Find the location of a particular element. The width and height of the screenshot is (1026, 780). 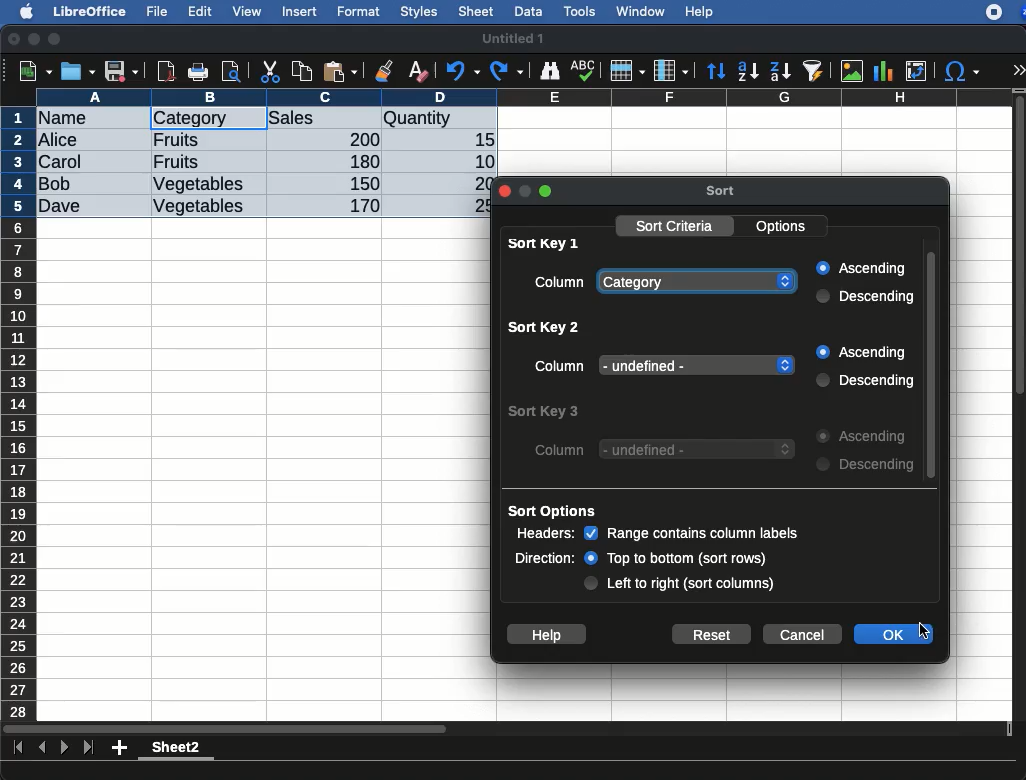

special characters is located at coordinates (960, 71).